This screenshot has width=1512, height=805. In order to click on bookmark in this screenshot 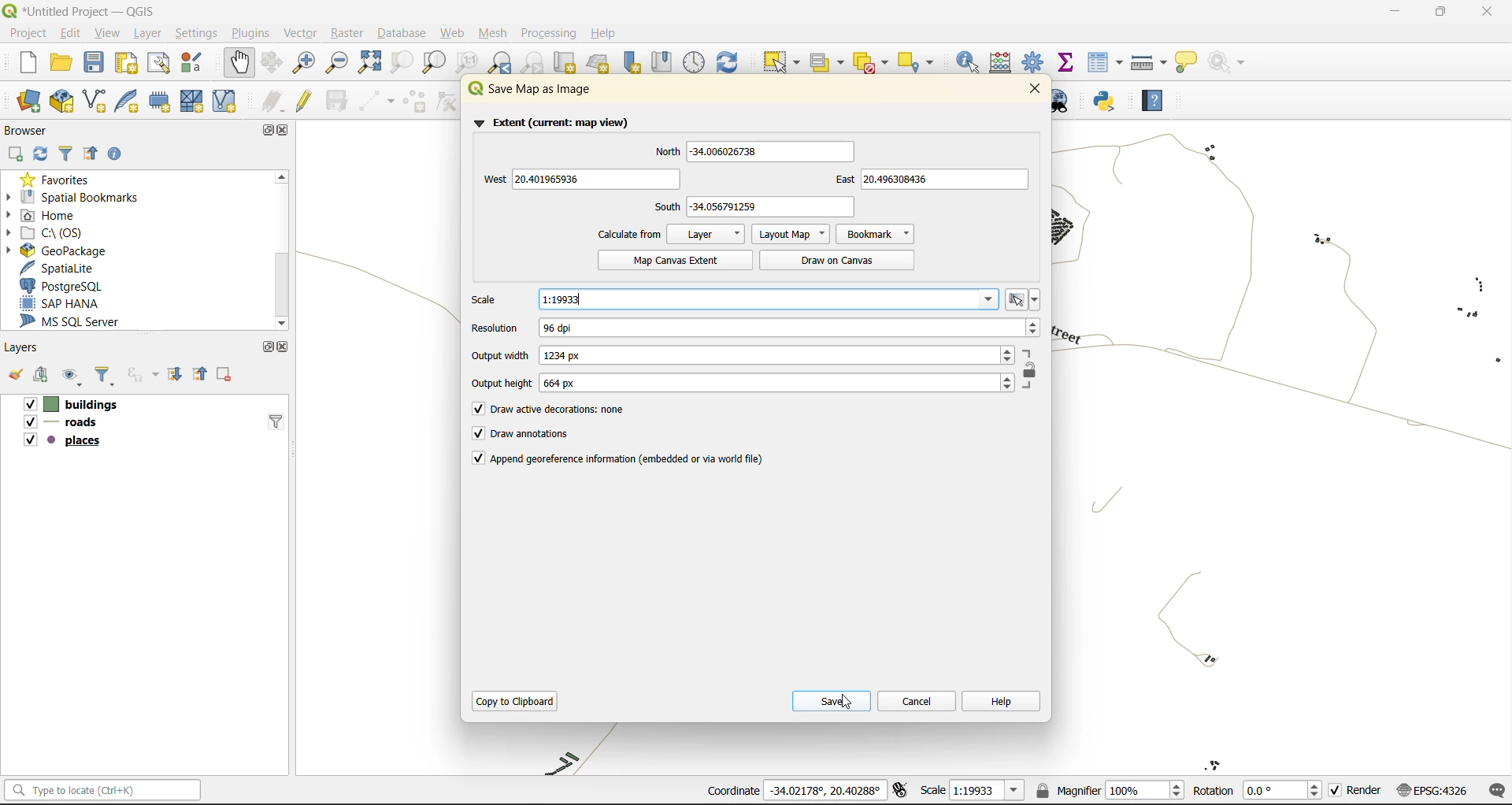, I will do `click(876, 233)`.